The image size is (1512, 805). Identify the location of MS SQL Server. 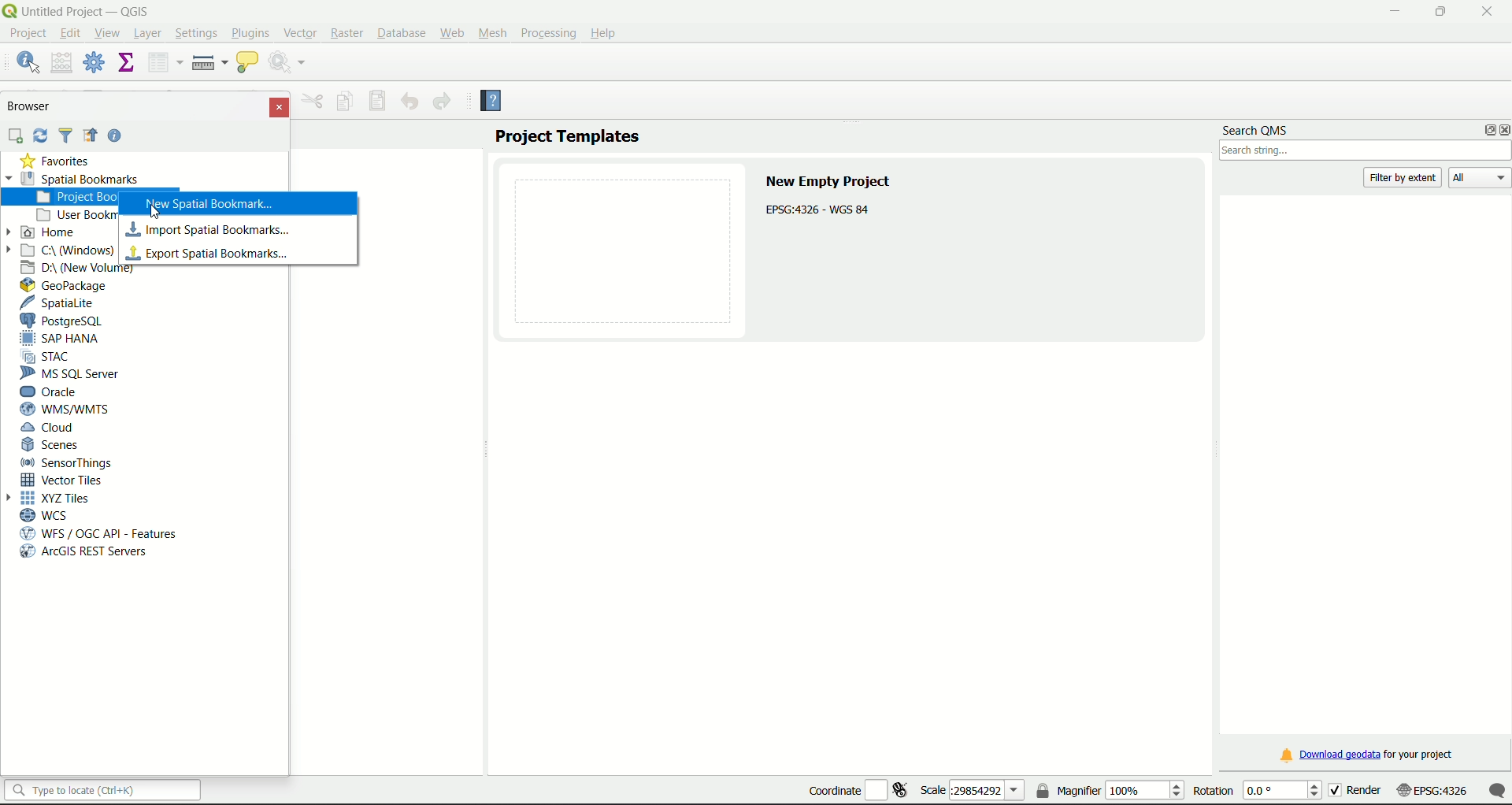
(72, 373).